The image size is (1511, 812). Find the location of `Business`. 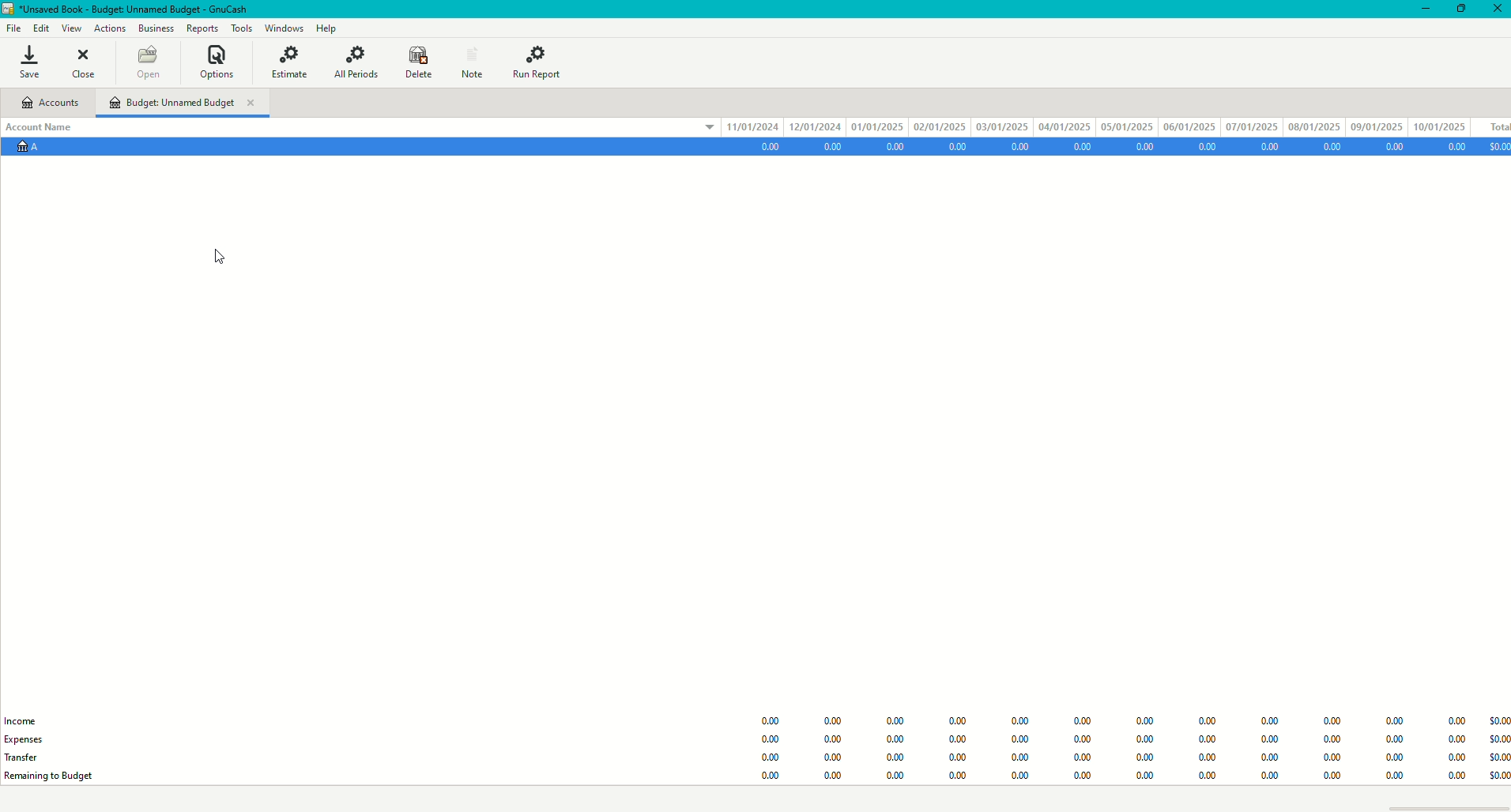

Business is located at coordinates (155, 26).